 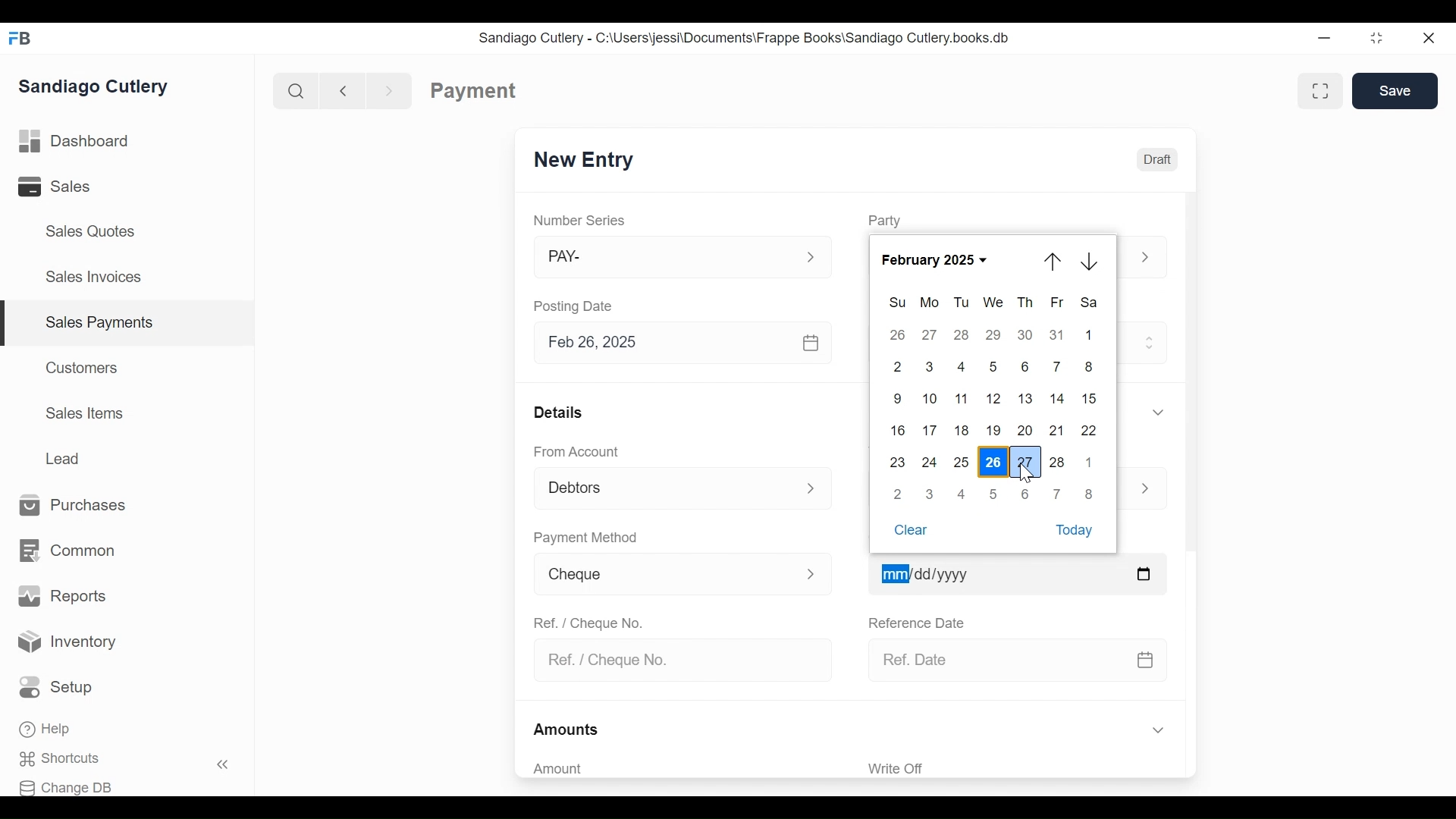 What do you see at coordinates (998, 573) in the screenshot?
I see `mm dd/yyyy` at bounding box center [998, 573].